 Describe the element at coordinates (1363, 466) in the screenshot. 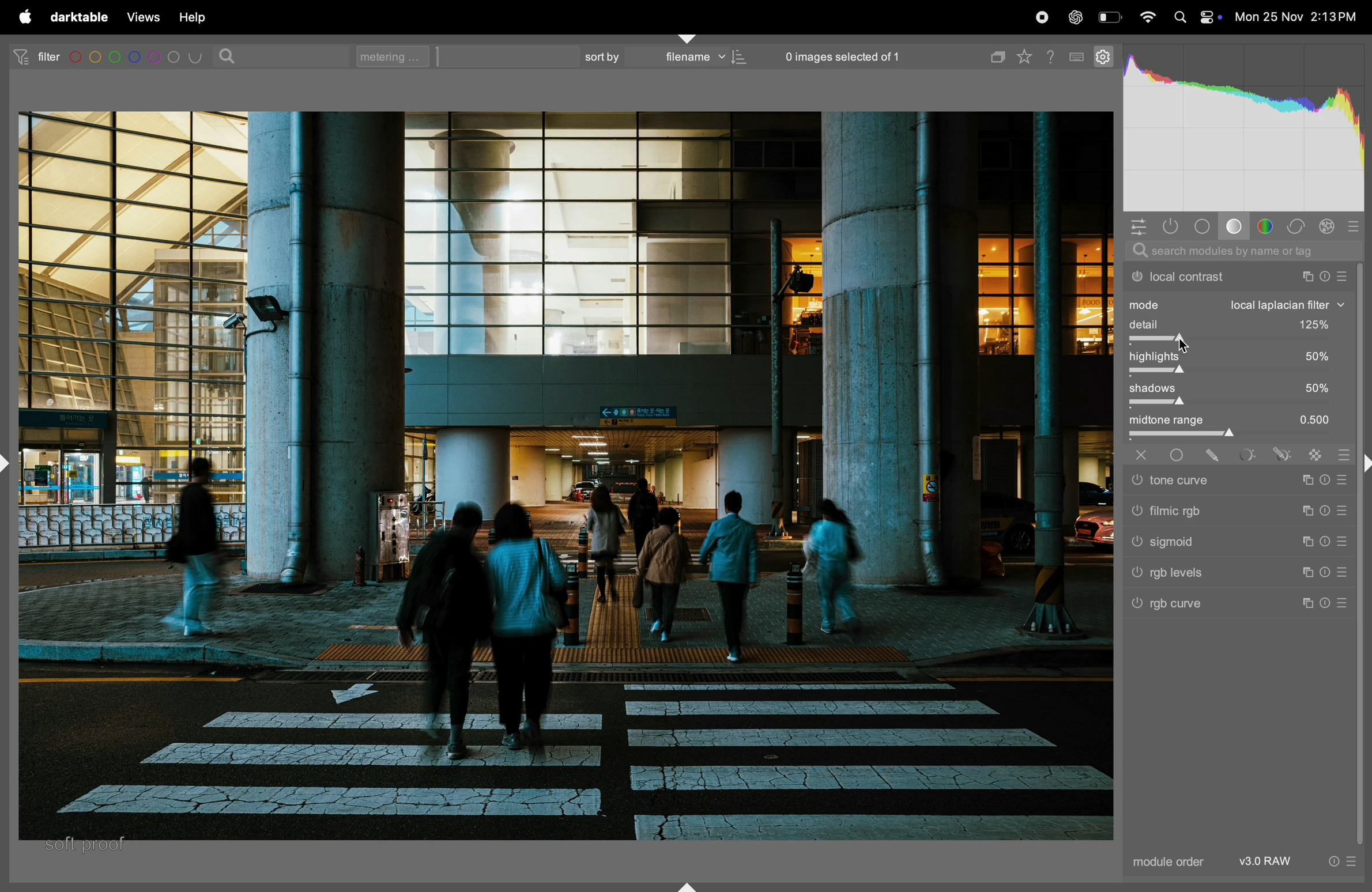

I see `shift+ctrl+r` at that location.